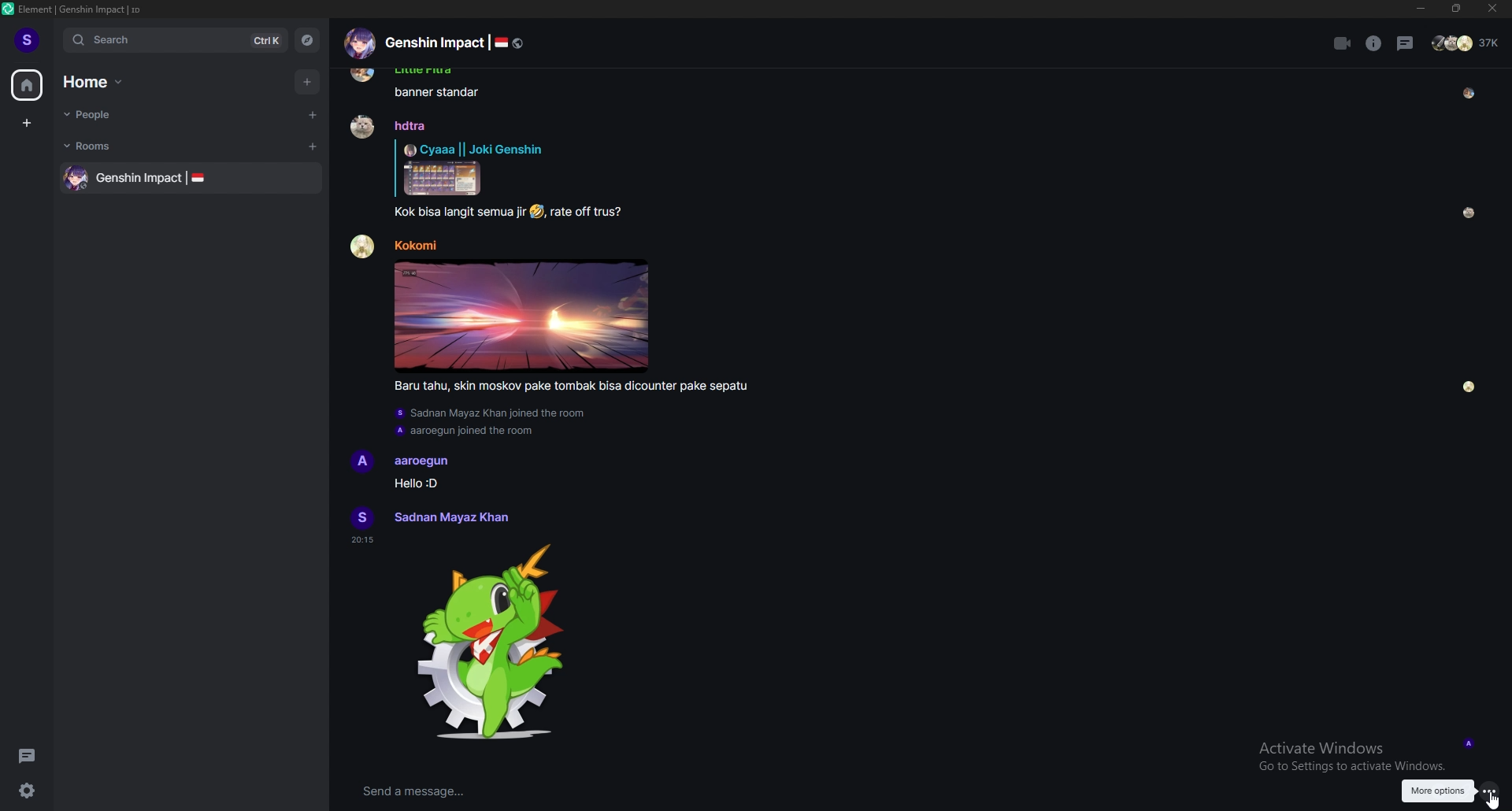 The height and width of the screenshot is (811, 1512). I want to click on aaroegun, so click(422, 462).